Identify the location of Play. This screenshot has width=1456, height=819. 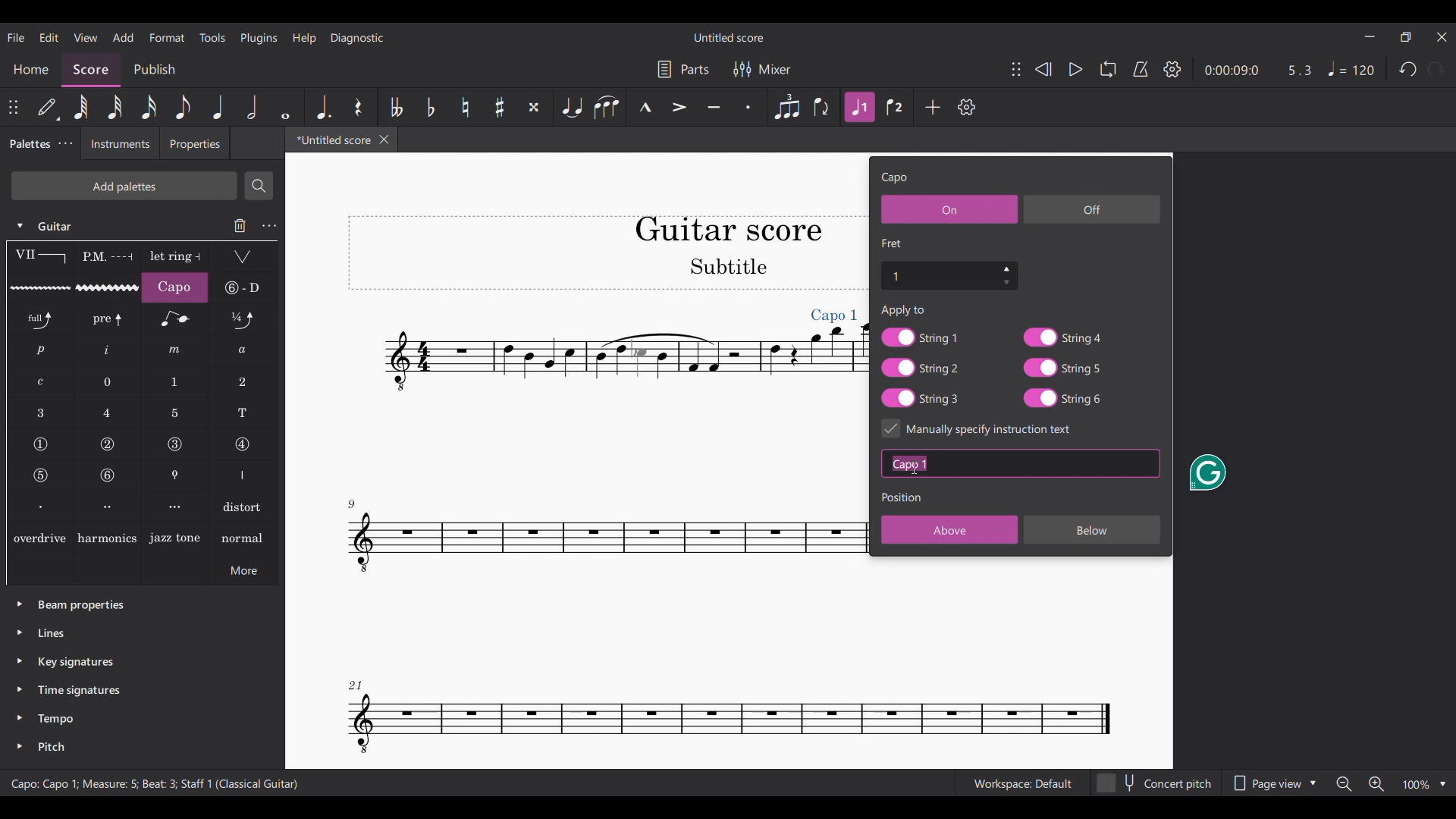
(1076, 70).